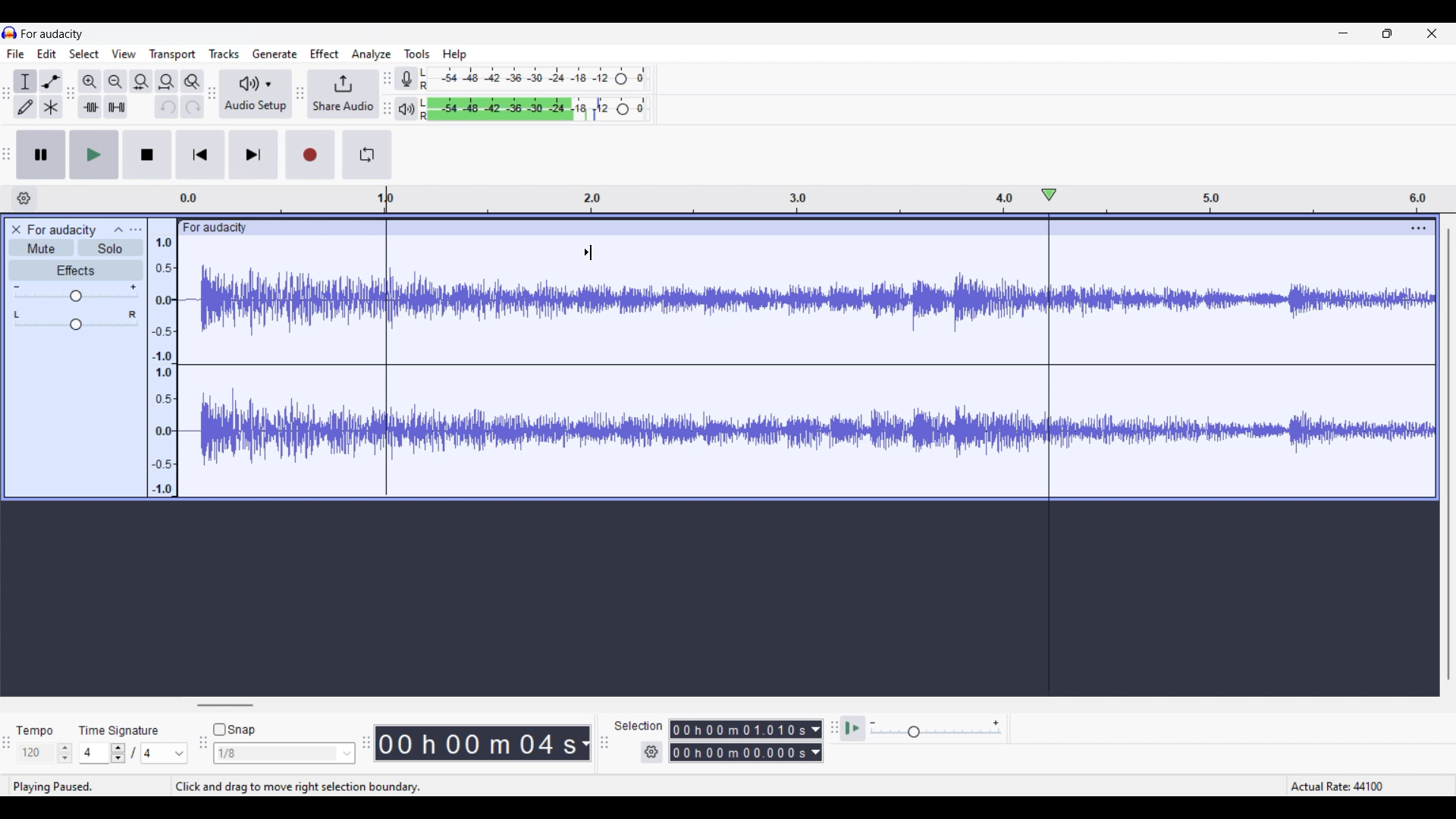  Describe the element at coordinates (163, 366) in the screenshot. I see `Scale to measure intenssity of sound` at that location.